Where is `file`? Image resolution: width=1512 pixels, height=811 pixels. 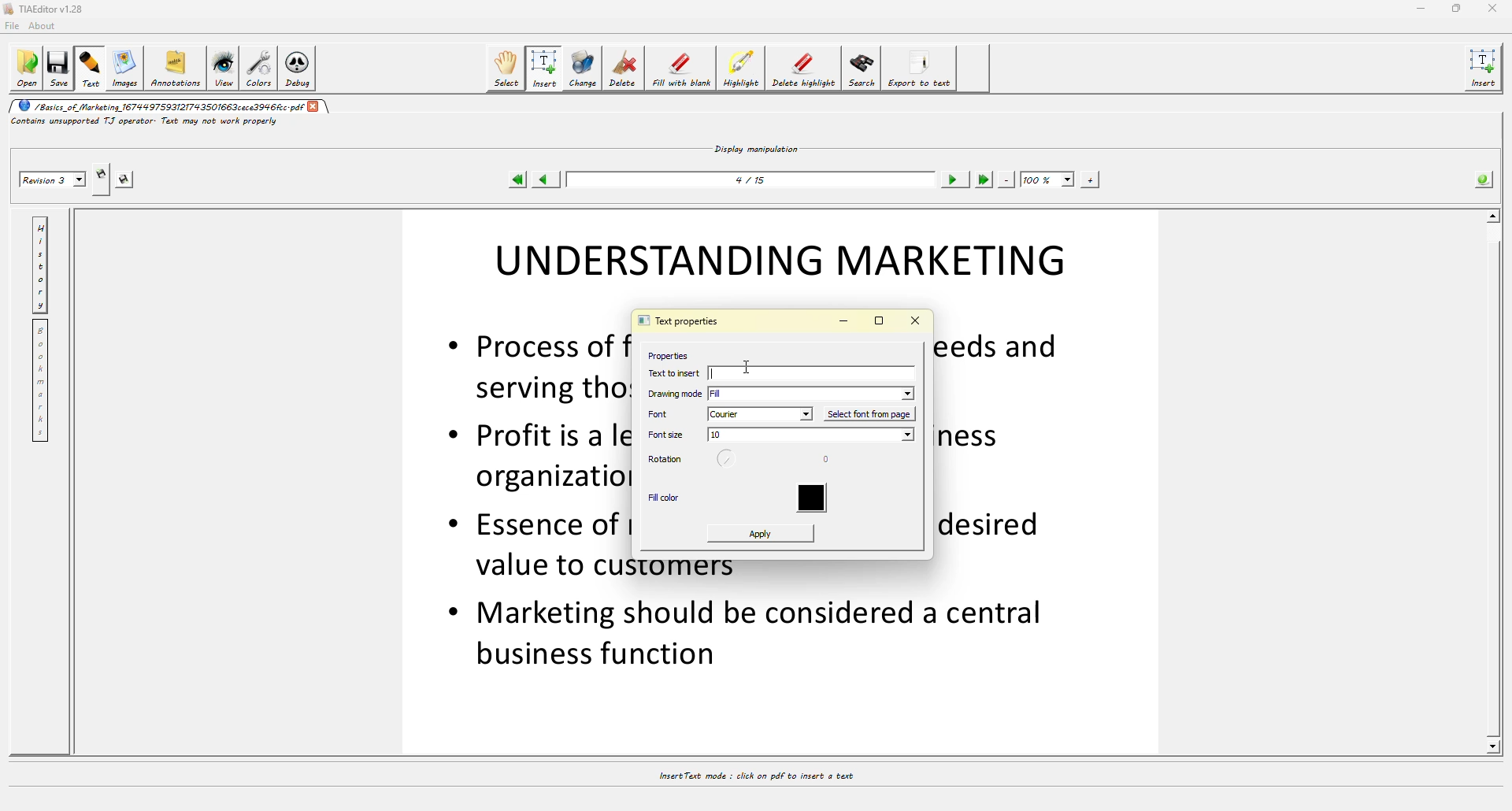
file is located at coordinates (15, 25).